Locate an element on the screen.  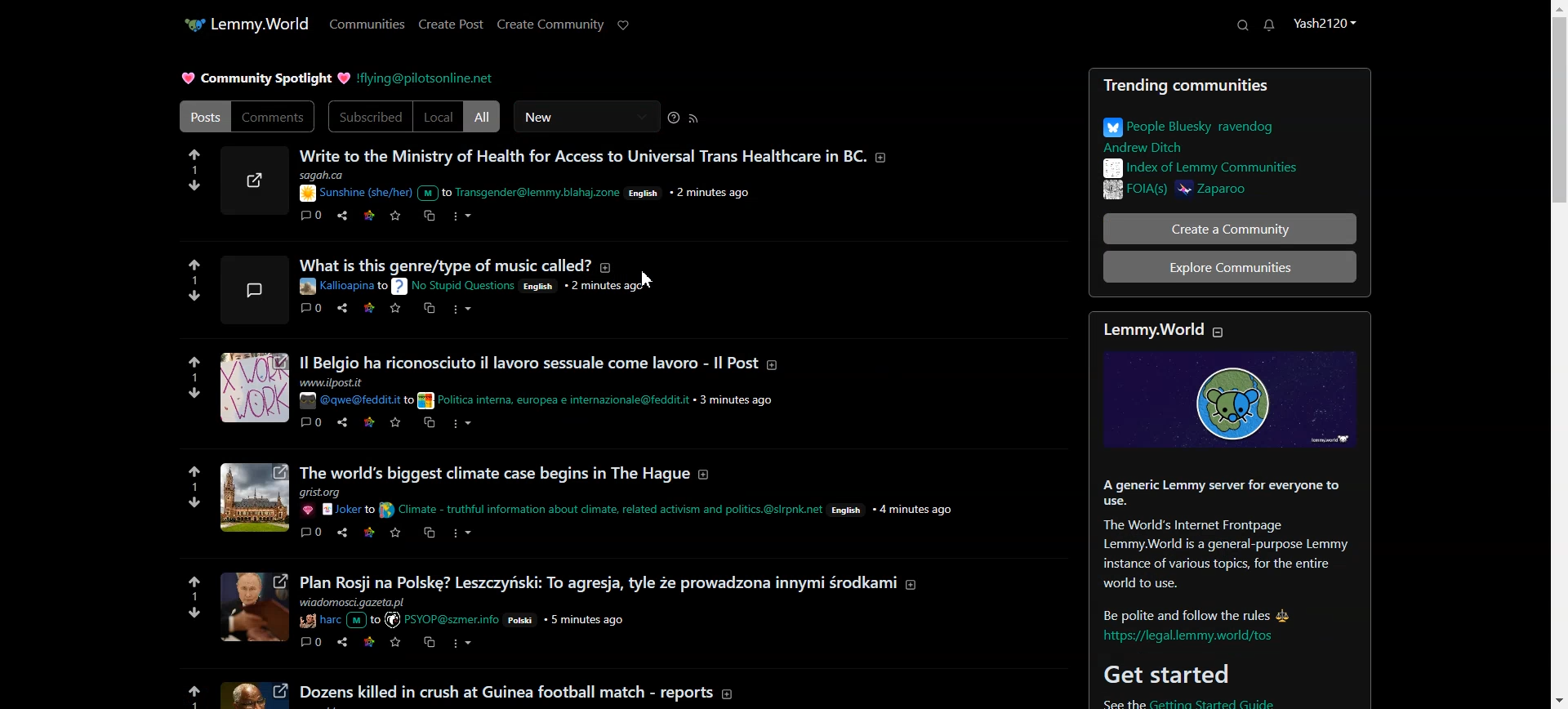
English is located at coordinates (827, 511).